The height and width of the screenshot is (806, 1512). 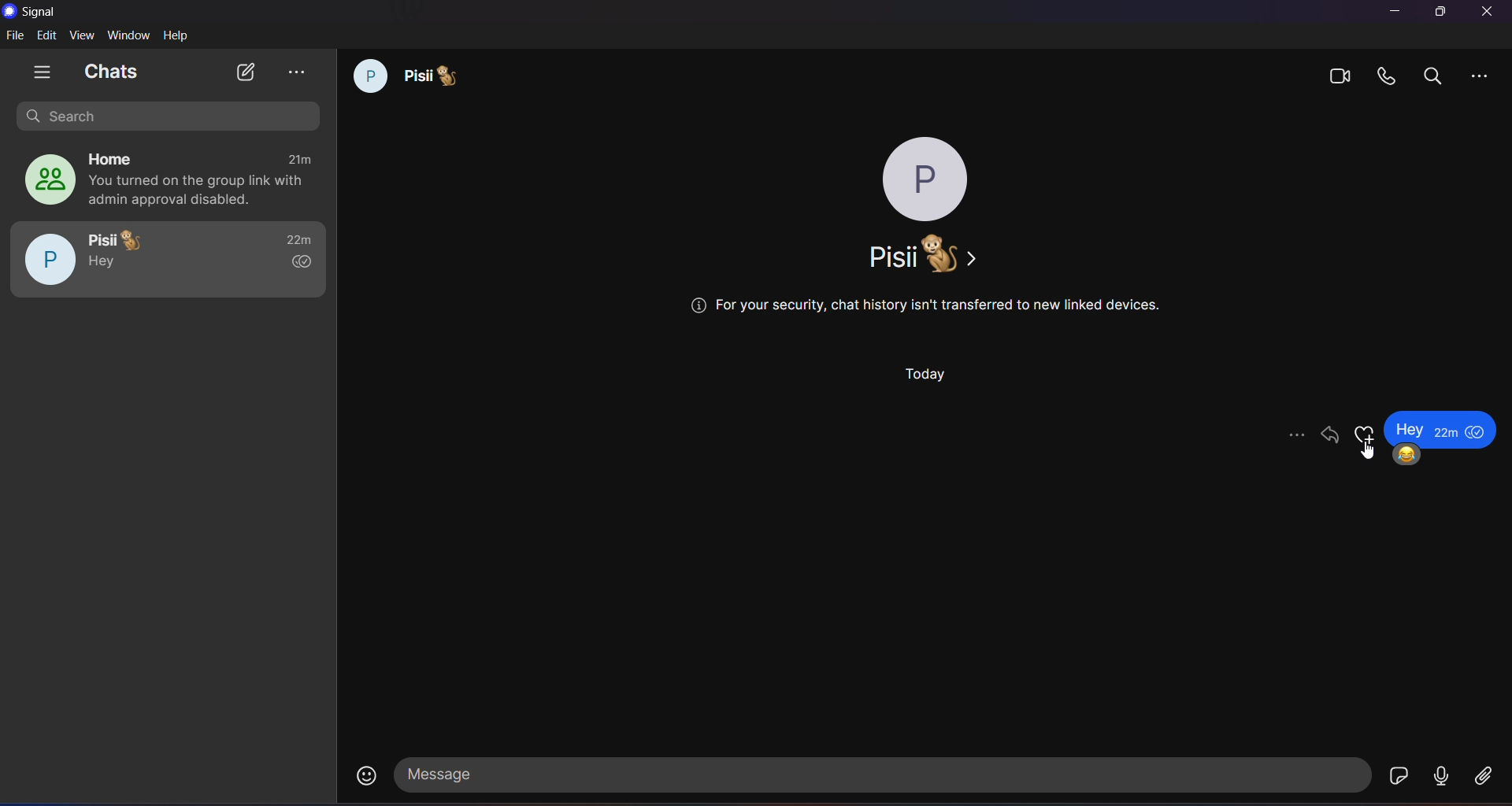 I want to click on more, so click(x=1481, y=73).